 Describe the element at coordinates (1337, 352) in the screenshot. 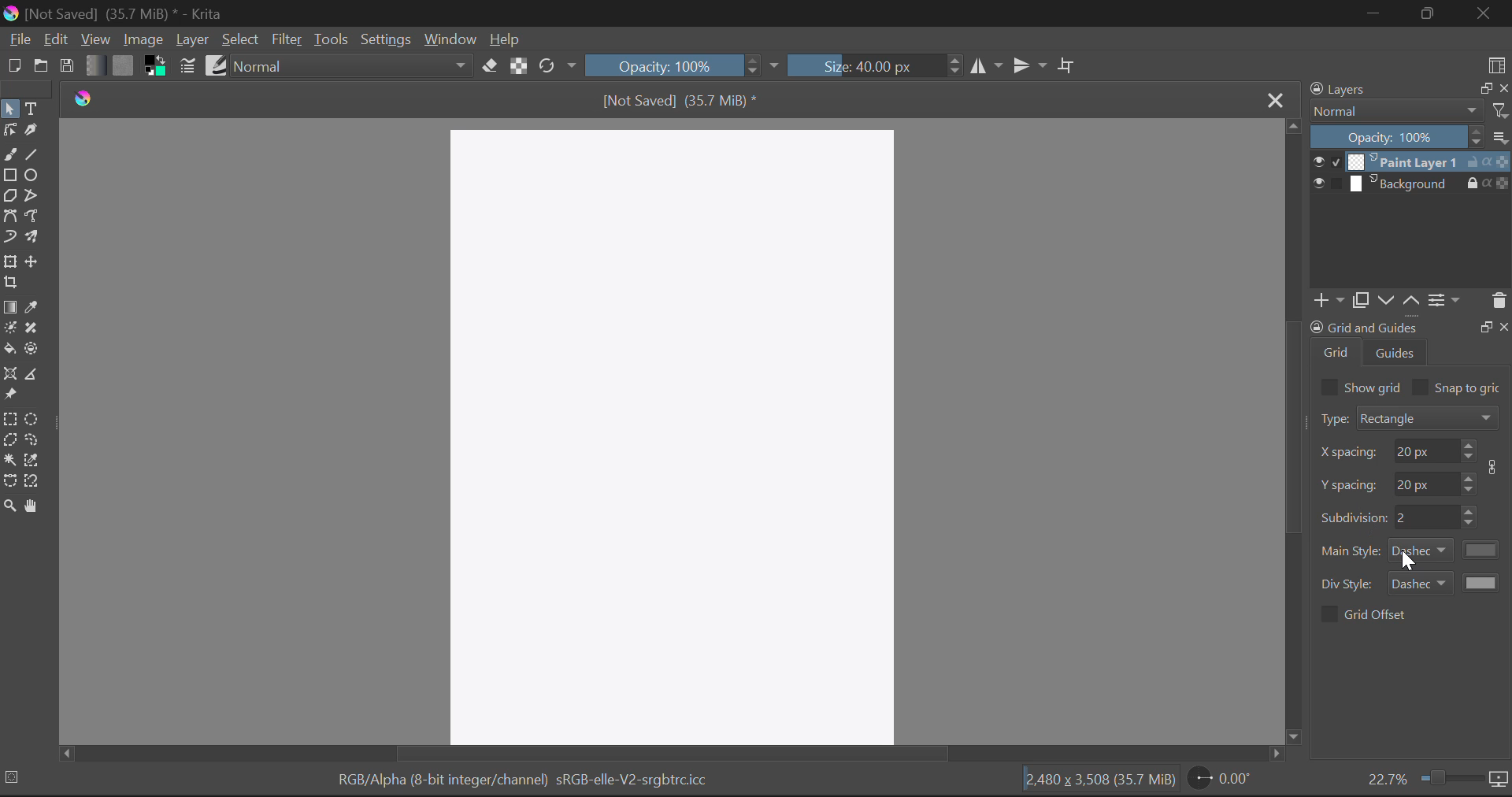

I see `grid` at that location.